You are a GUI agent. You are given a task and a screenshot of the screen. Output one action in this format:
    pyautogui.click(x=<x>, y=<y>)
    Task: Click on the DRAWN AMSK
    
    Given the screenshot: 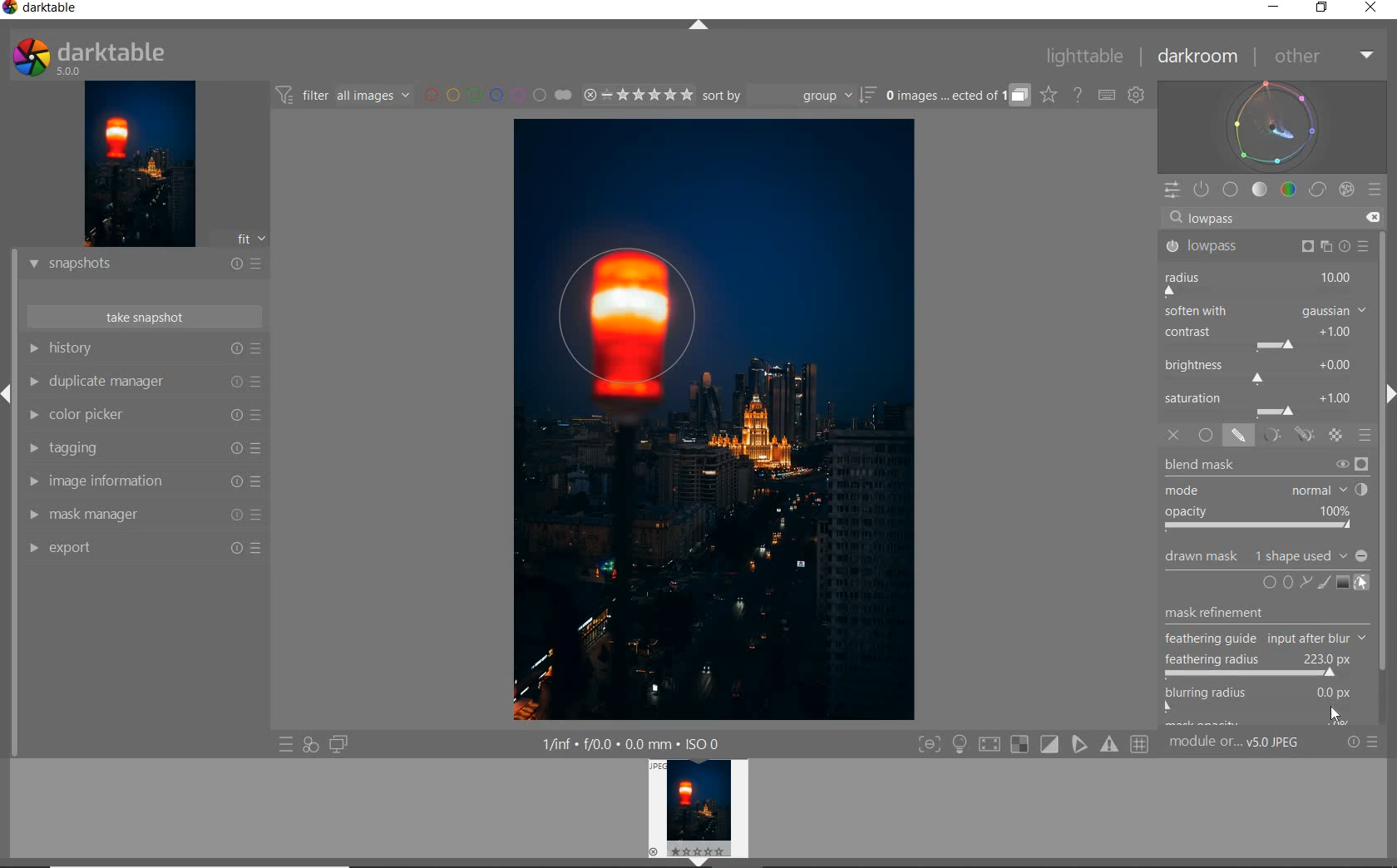 What is the action you would take?
    pyautogui.click(x=1265, y=554)
    